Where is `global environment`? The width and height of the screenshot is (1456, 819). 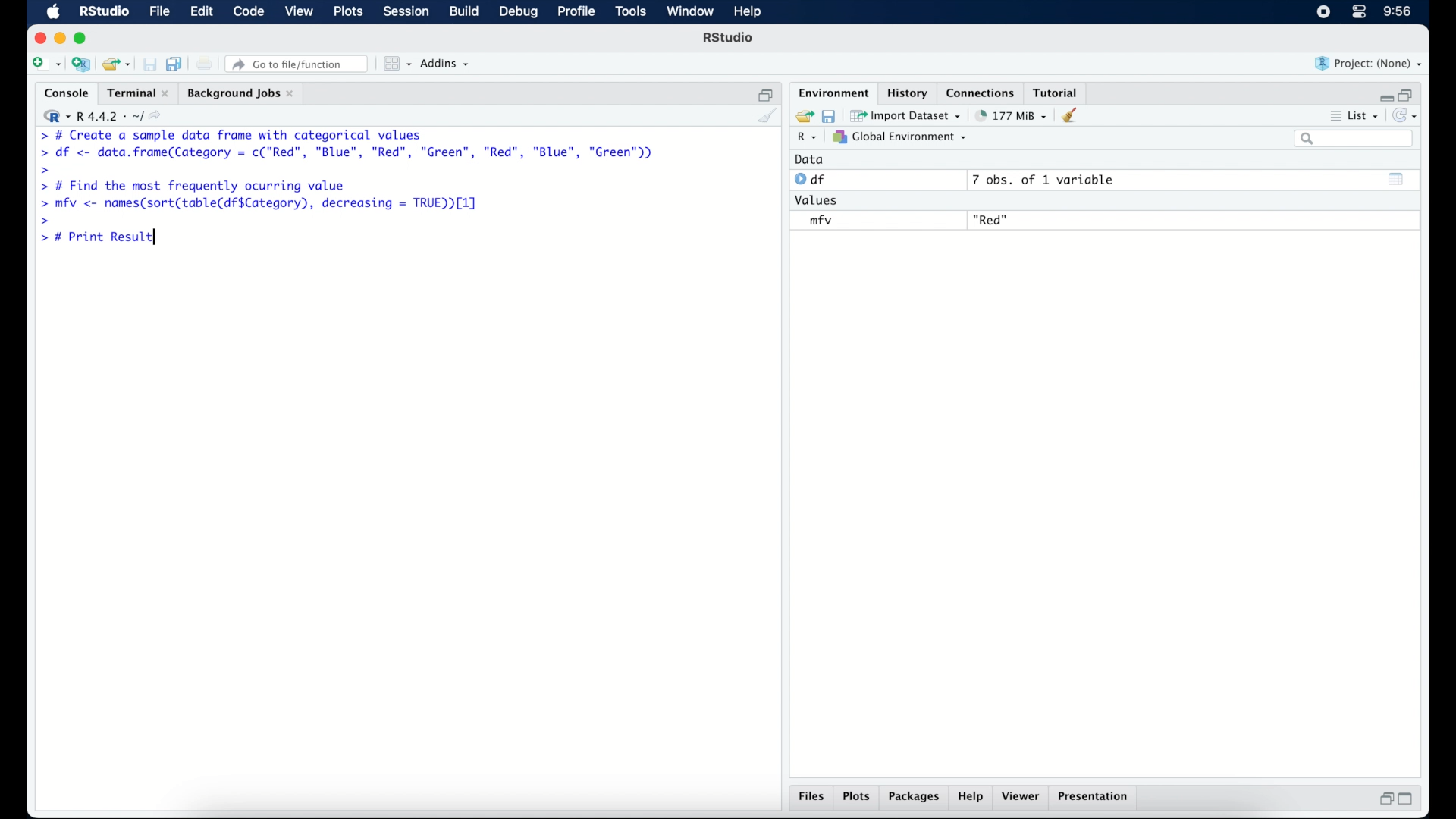
global environment is located at coordinates (905, 137).